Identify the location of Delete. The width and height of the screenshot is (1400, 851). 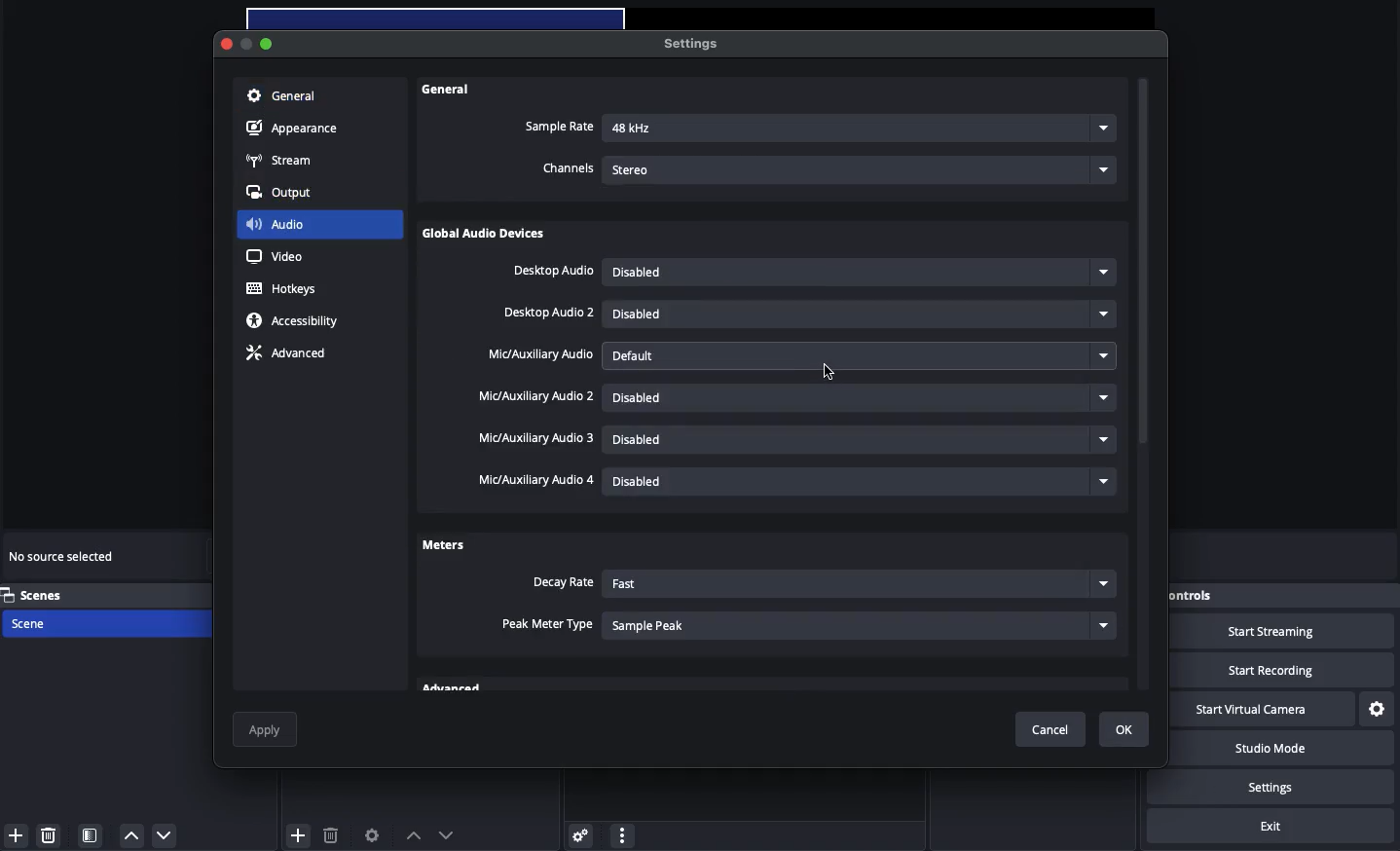
(51, 834).